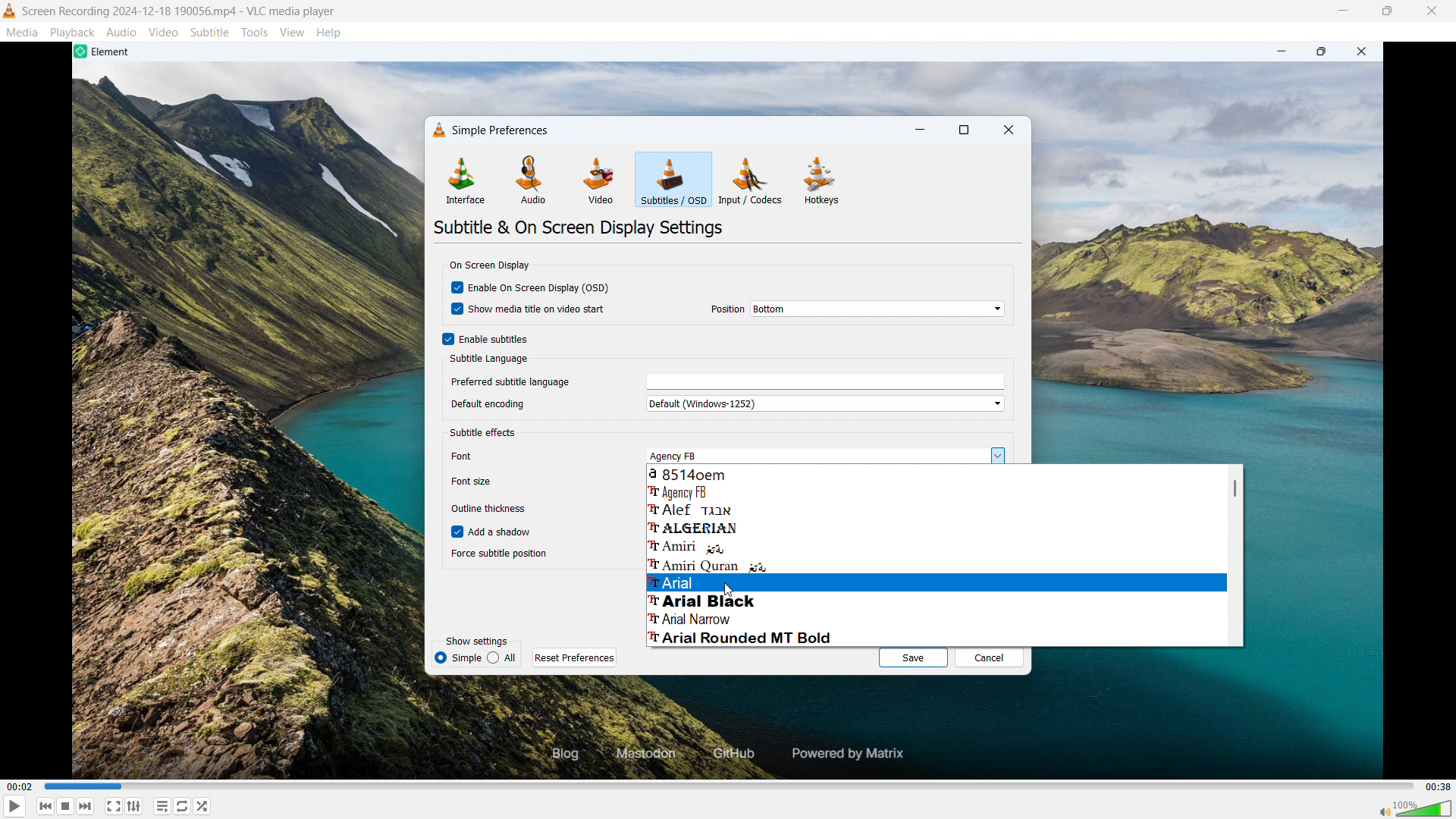 This screenshot has height=819, width=1456. What do you see at coordinates (477, 642) in the screenshot?
I see `show settings` at bounding box center [477, 642].